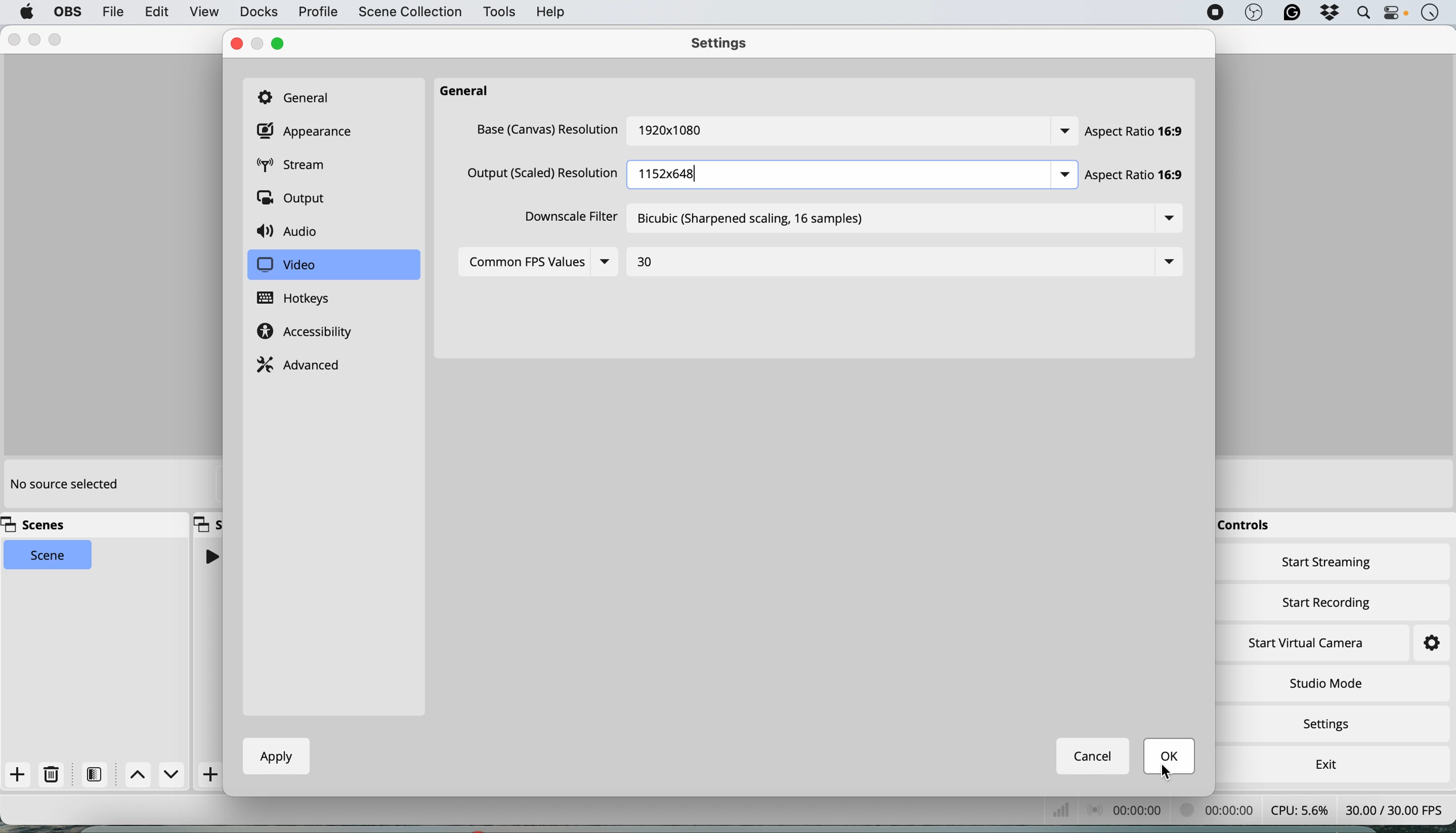 The height and width of the screenshot is (833, 1456). What do you see at coordinates (38, 39) in the screenshot?
I see `minimise` at bounding box center [38, 39].